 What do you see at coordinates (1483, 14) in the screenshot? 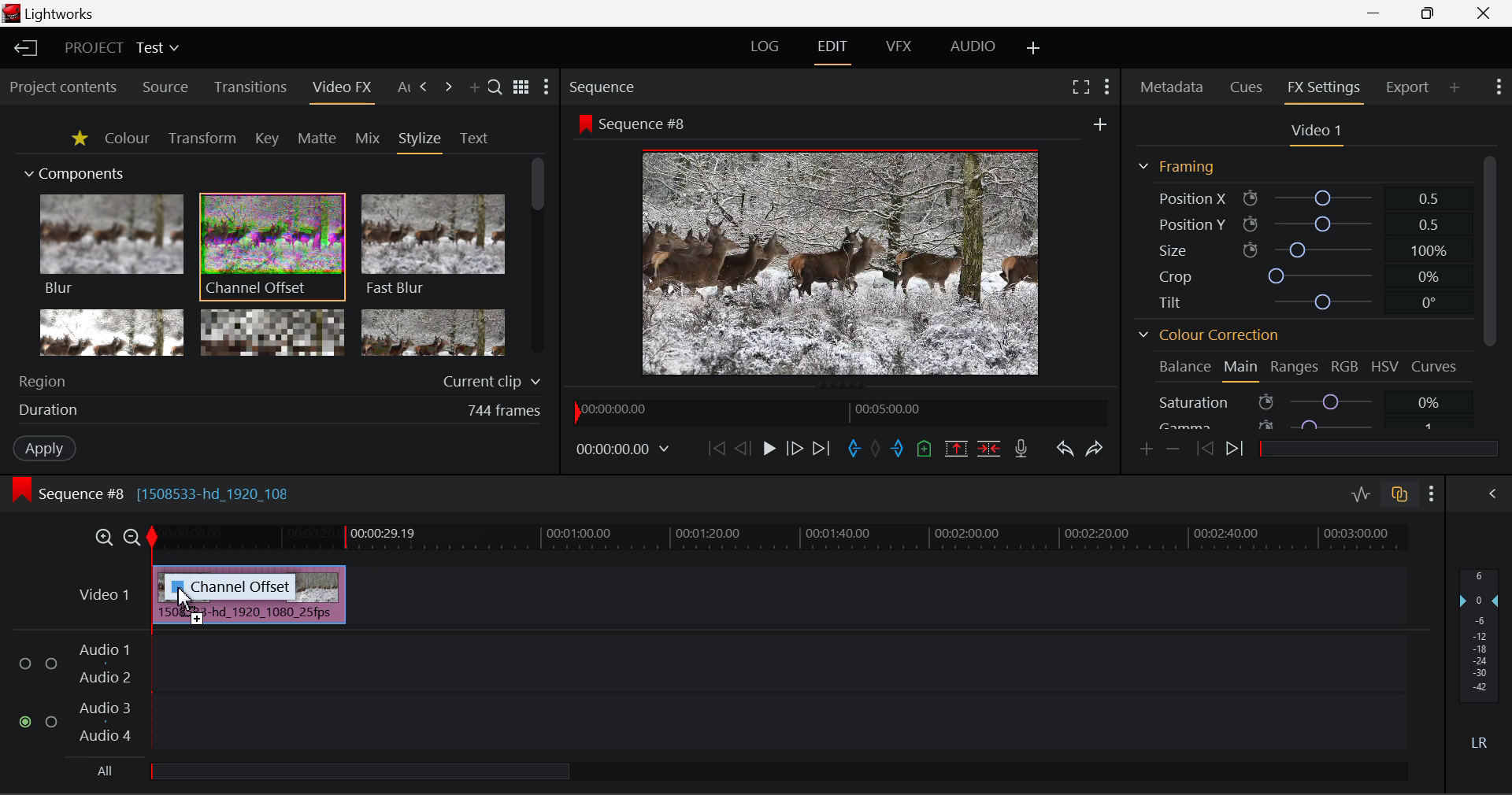
I see `Close` at bounding box center [1483, 14].